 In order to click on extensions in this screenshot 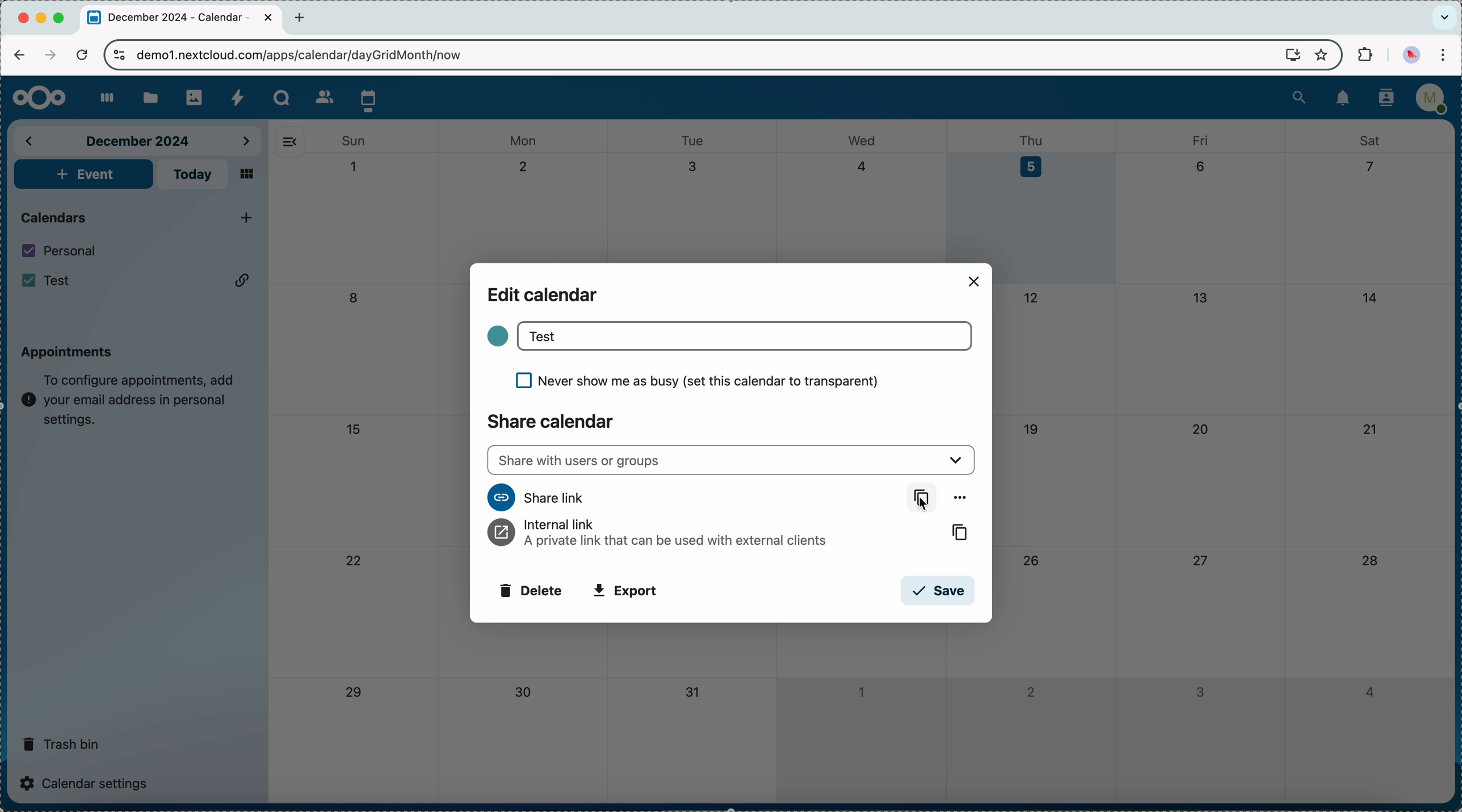, I will do `click(1363, 56)`.